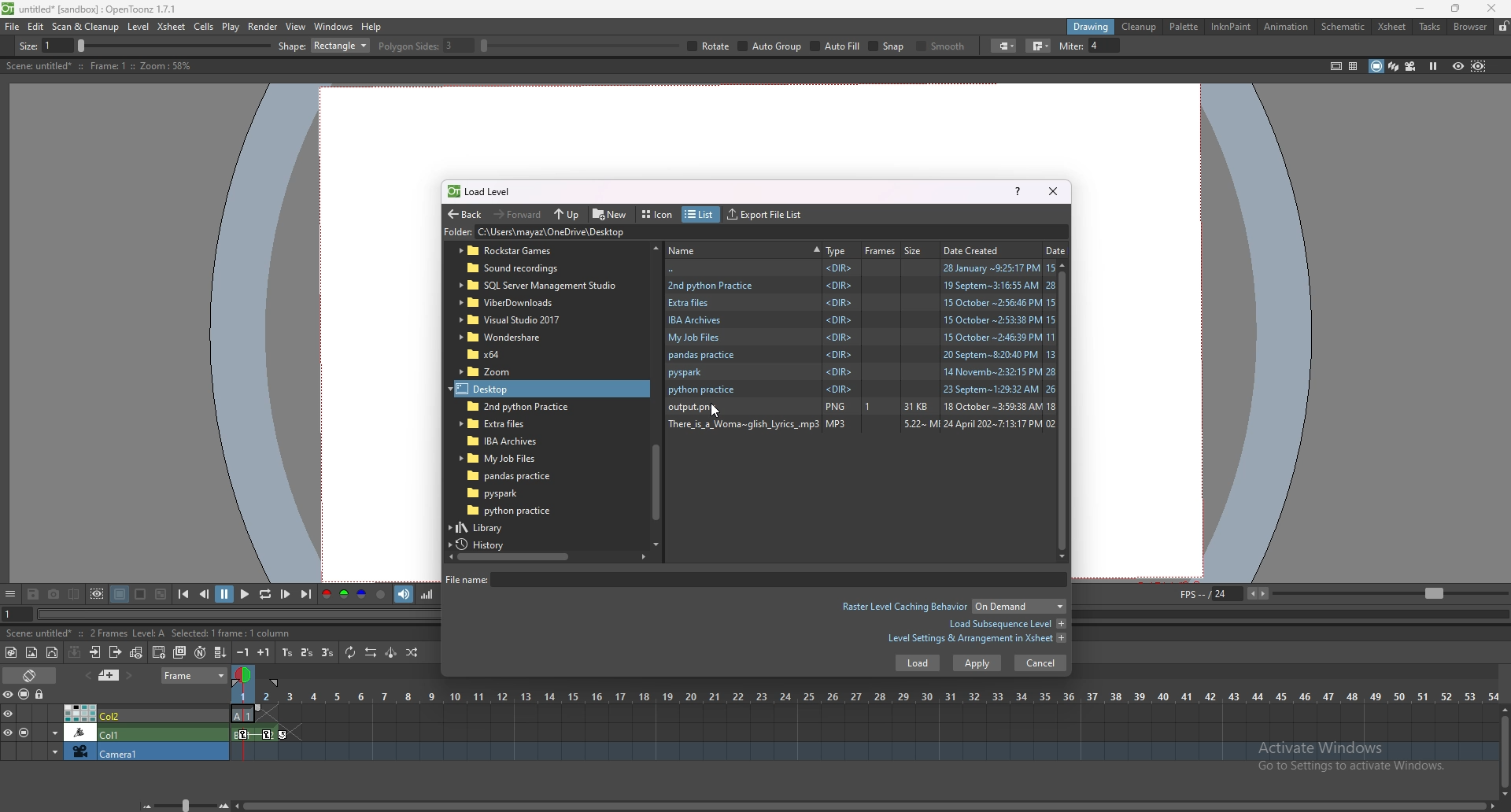 This screenshot has height=812, width=1511. What do you see at coordinates (205, 593) in the screenshot?
I see `previous frame` at bounding box center [205, 593].